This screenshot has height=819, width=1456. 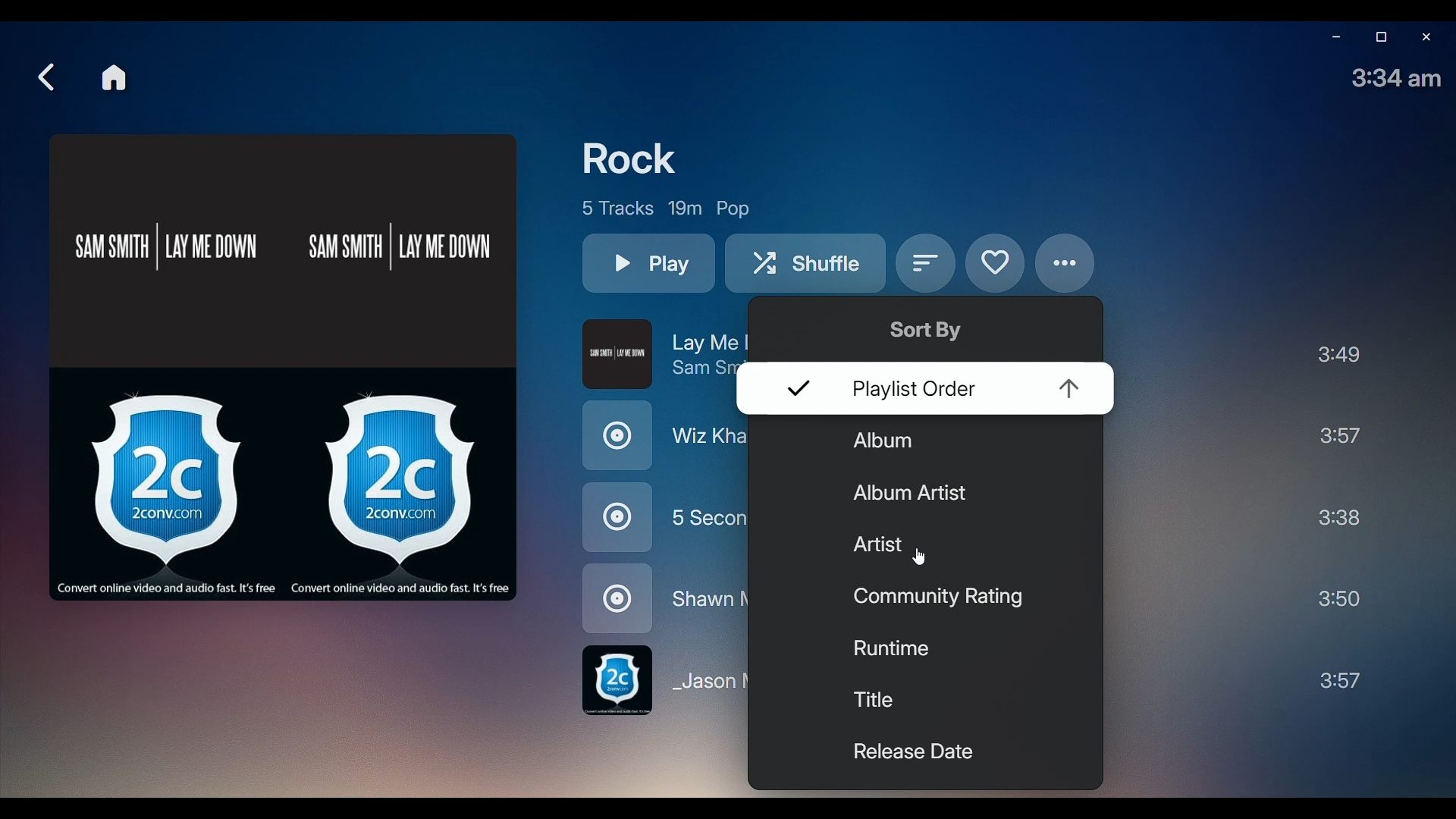 I want to click on Release Date, so click(x=908, y=755).